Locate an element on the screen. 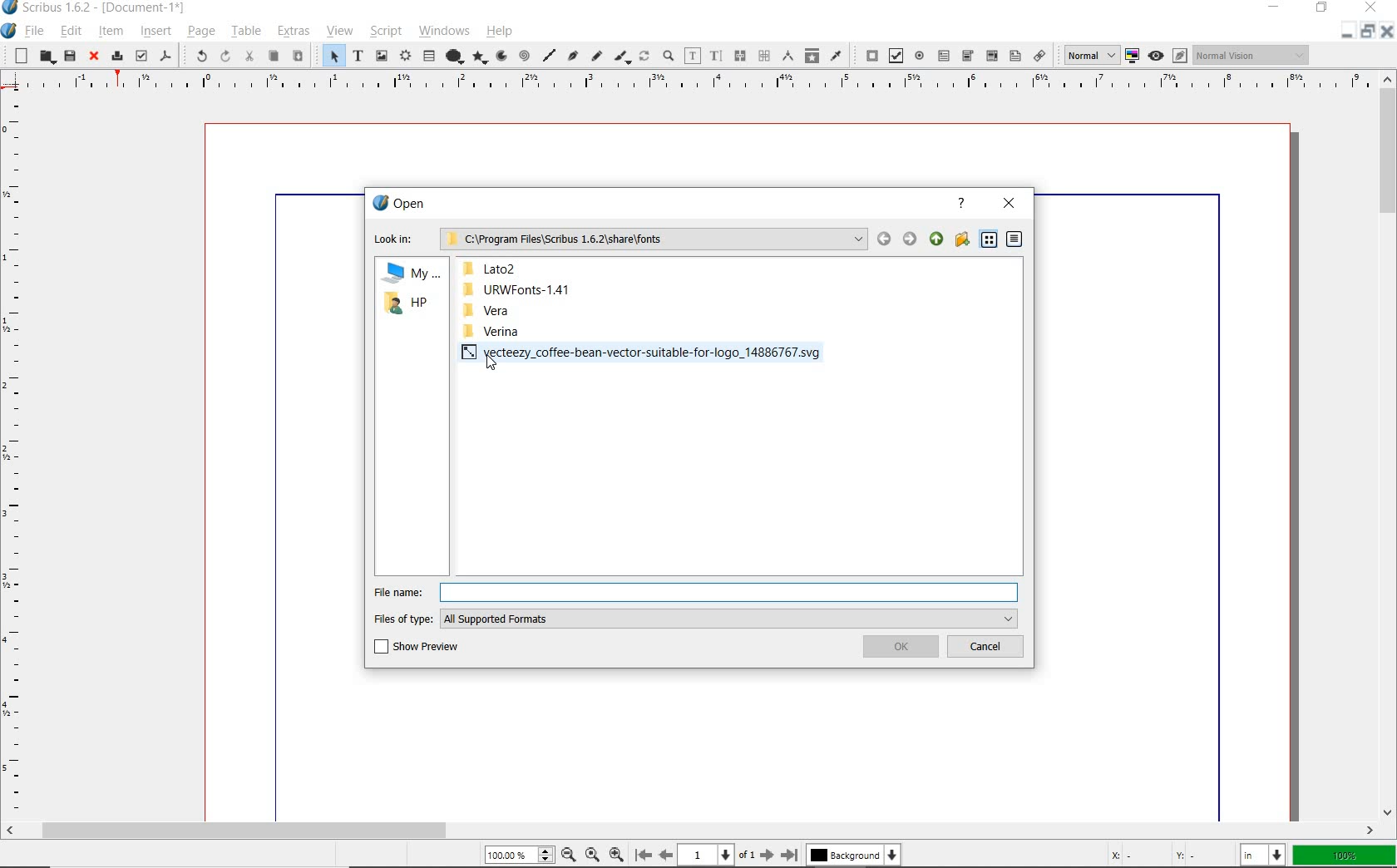  Normal Vision is located at coordinates (1253, 54).